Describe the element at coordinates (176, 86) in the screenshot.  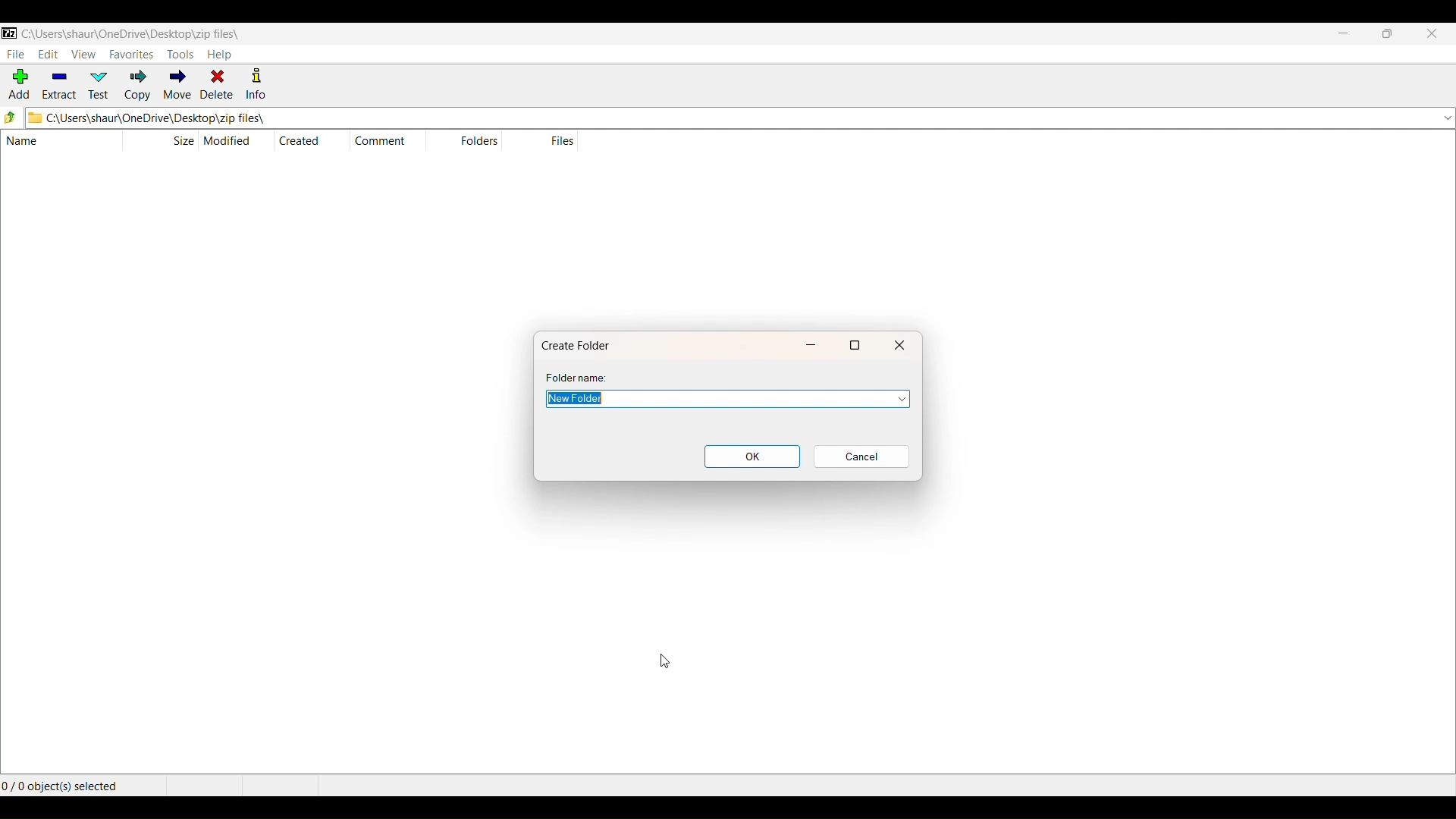
I see `MOVE` at that location.